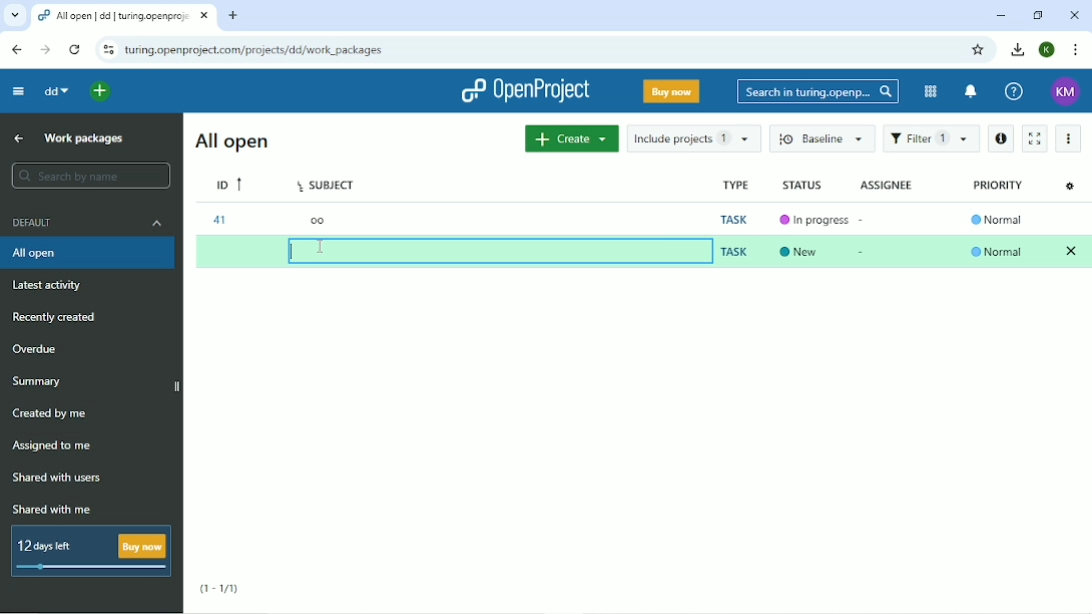 The height and width of the screenshot is (614, 1092). I want to click on All open, so click(230, 141).